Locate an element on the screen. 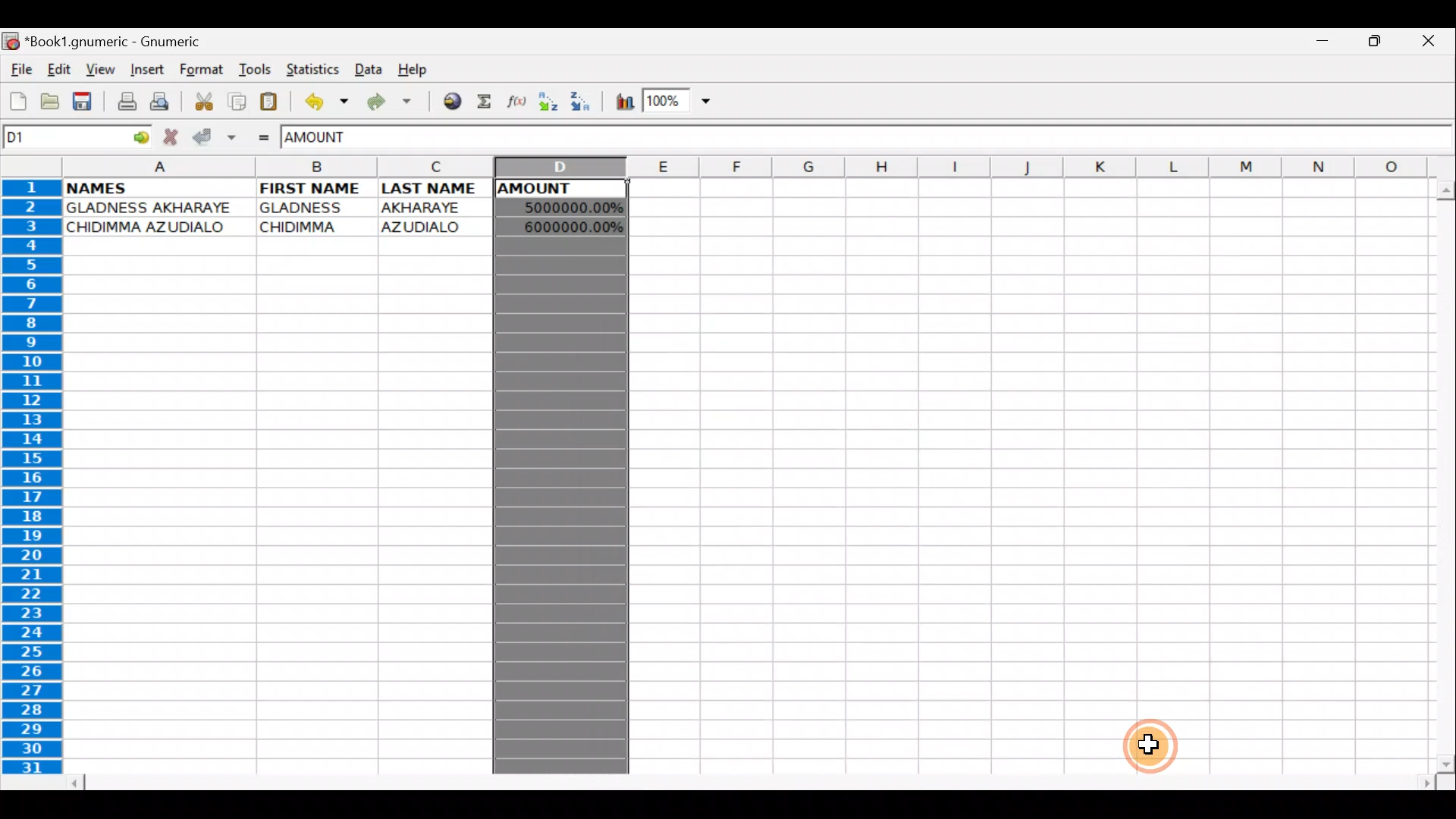 The height and width of the screenshot is (819, 1456). Insert is located at coordinates (146, 72).